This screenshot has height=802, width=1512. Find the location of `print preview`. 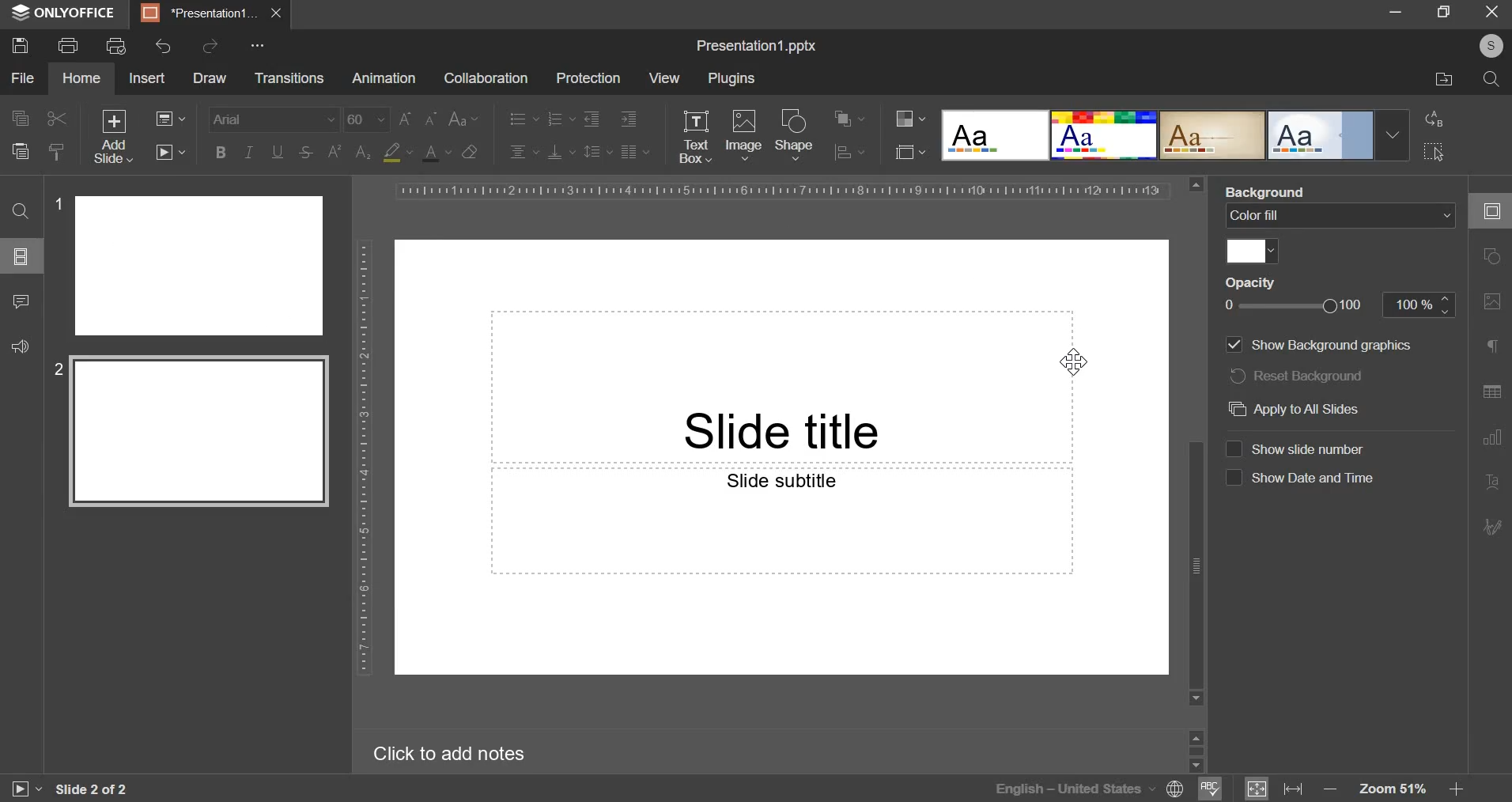

print preview is located at coordinates (116, 46).